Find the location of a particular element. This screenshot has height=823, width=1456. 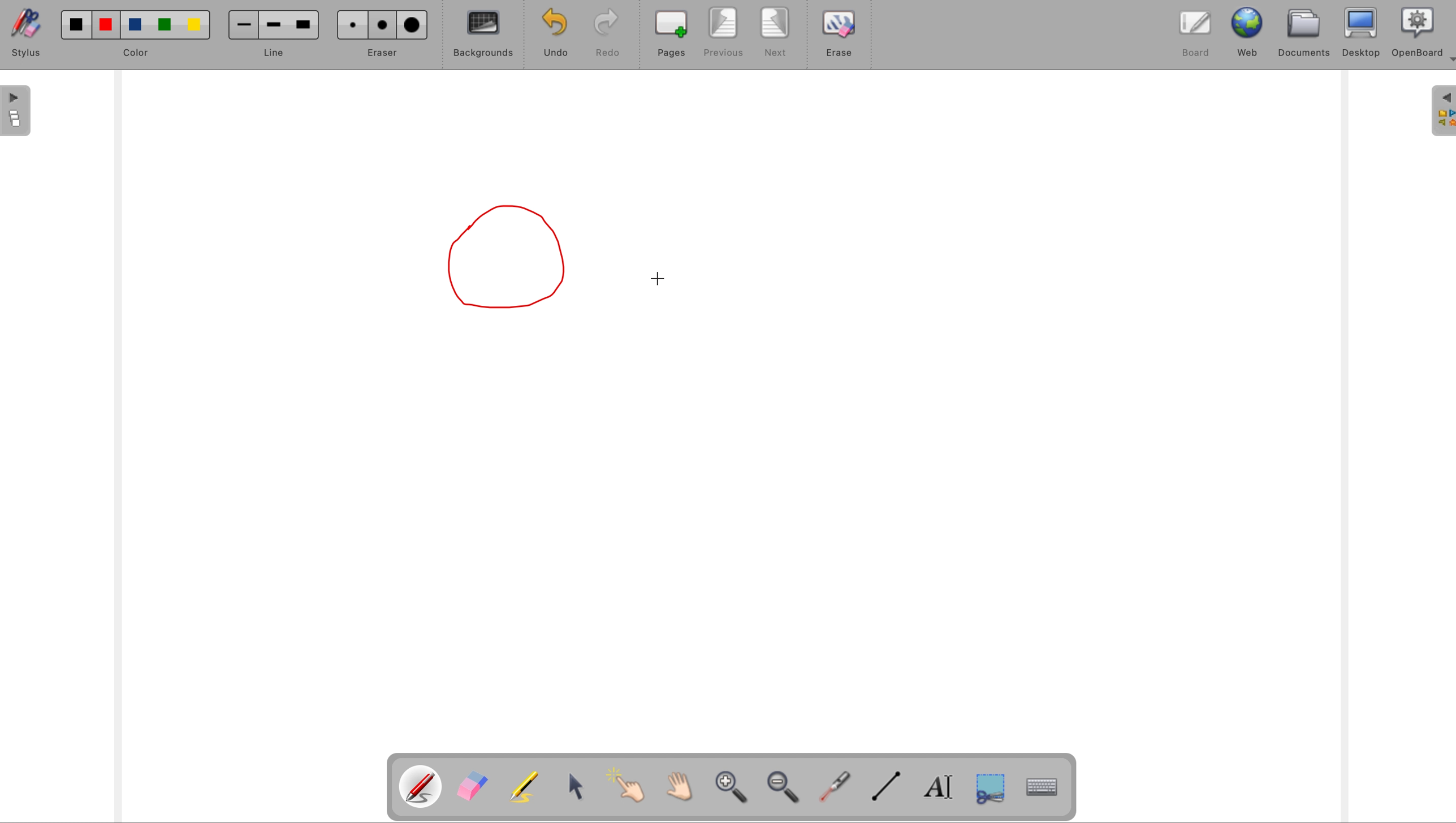

display keyboard is located at coordinates (1046, 789).